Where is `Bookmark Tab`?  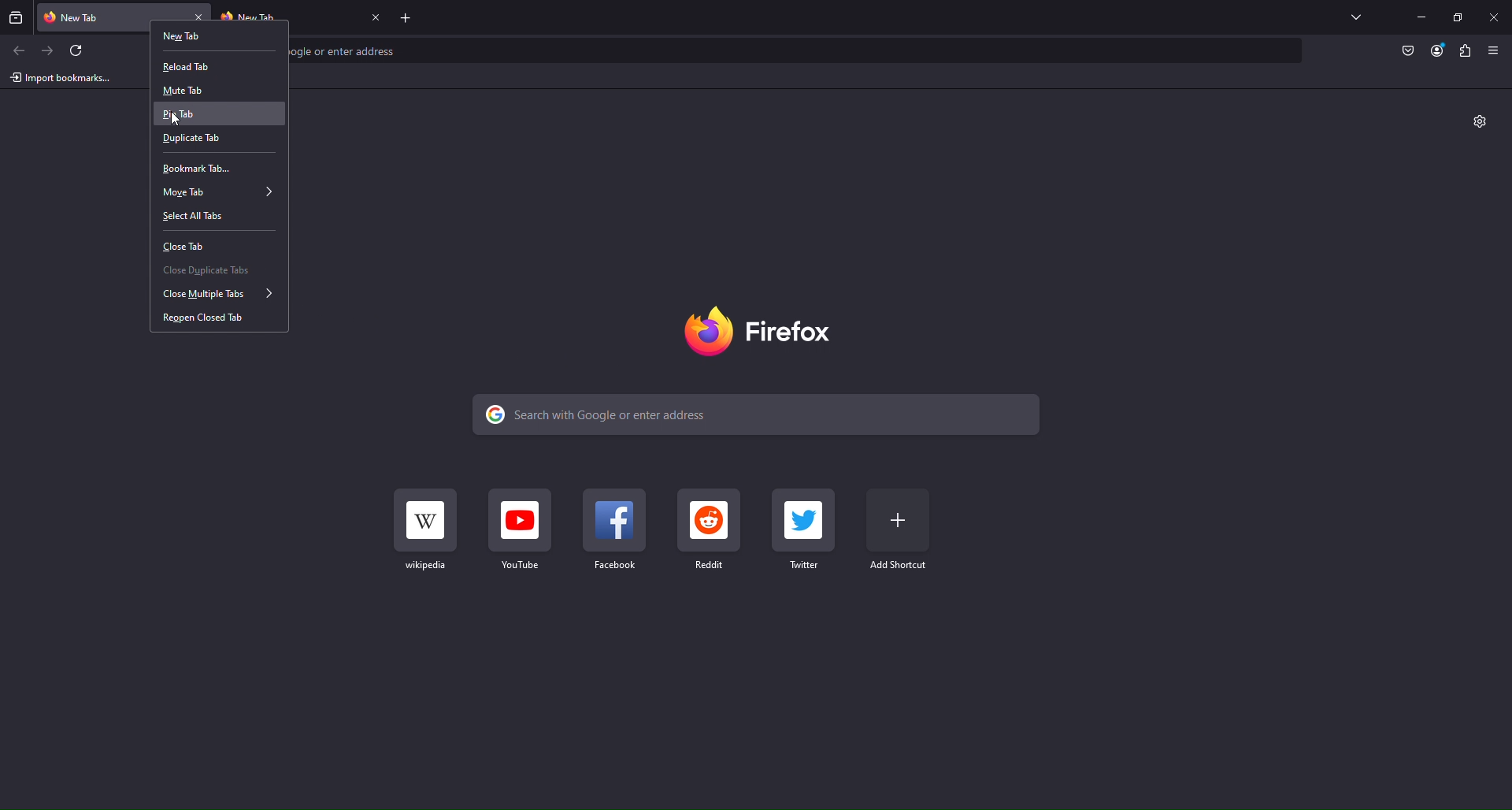 Bookmark Tab is located at coordinates (219, 167).